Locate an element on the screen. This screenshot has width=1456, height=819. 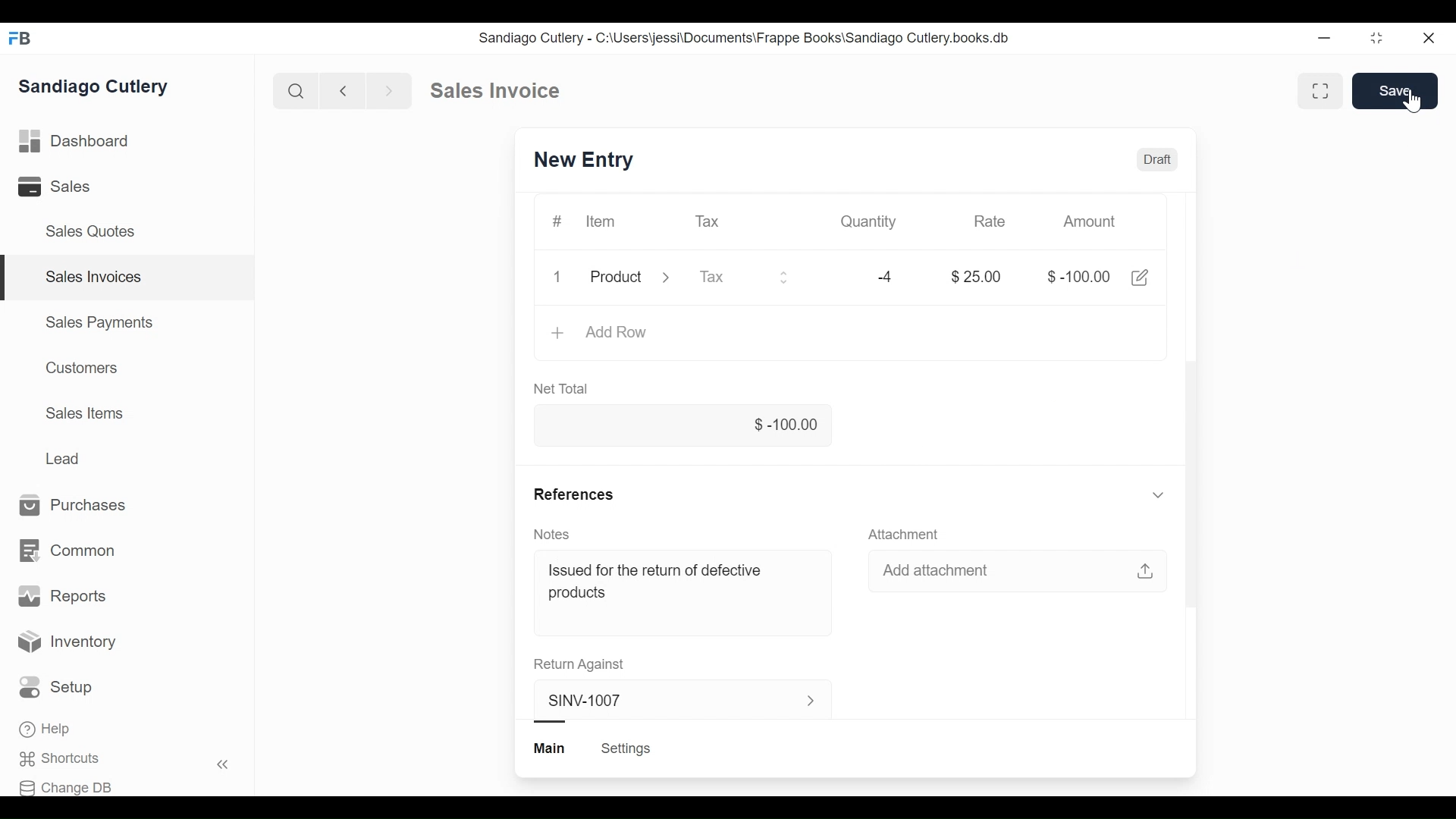
Item is located at coordinates (601, 221).